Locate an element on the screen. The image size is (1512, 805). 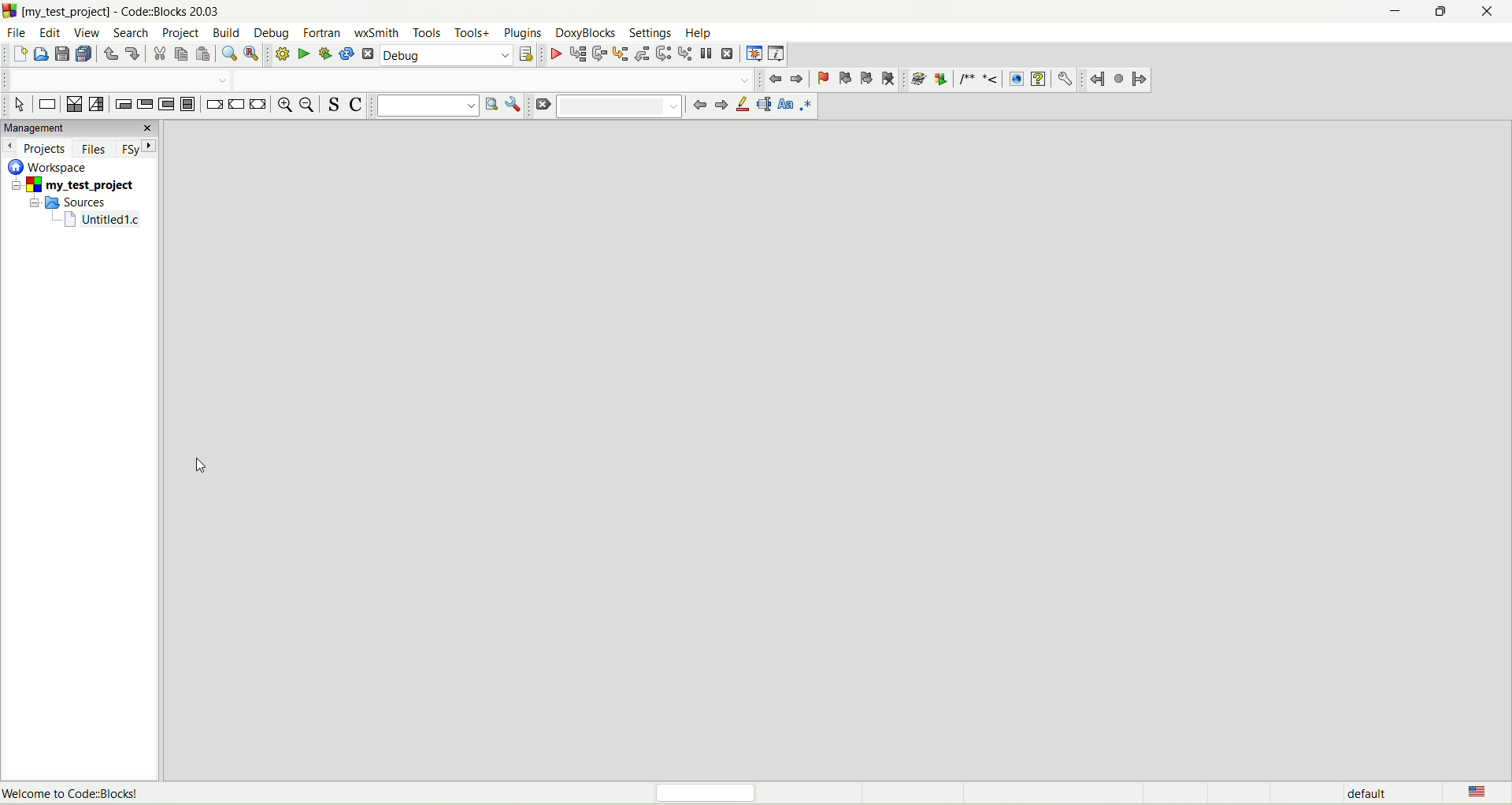
jump forward is located at coordinates (1139, 80).